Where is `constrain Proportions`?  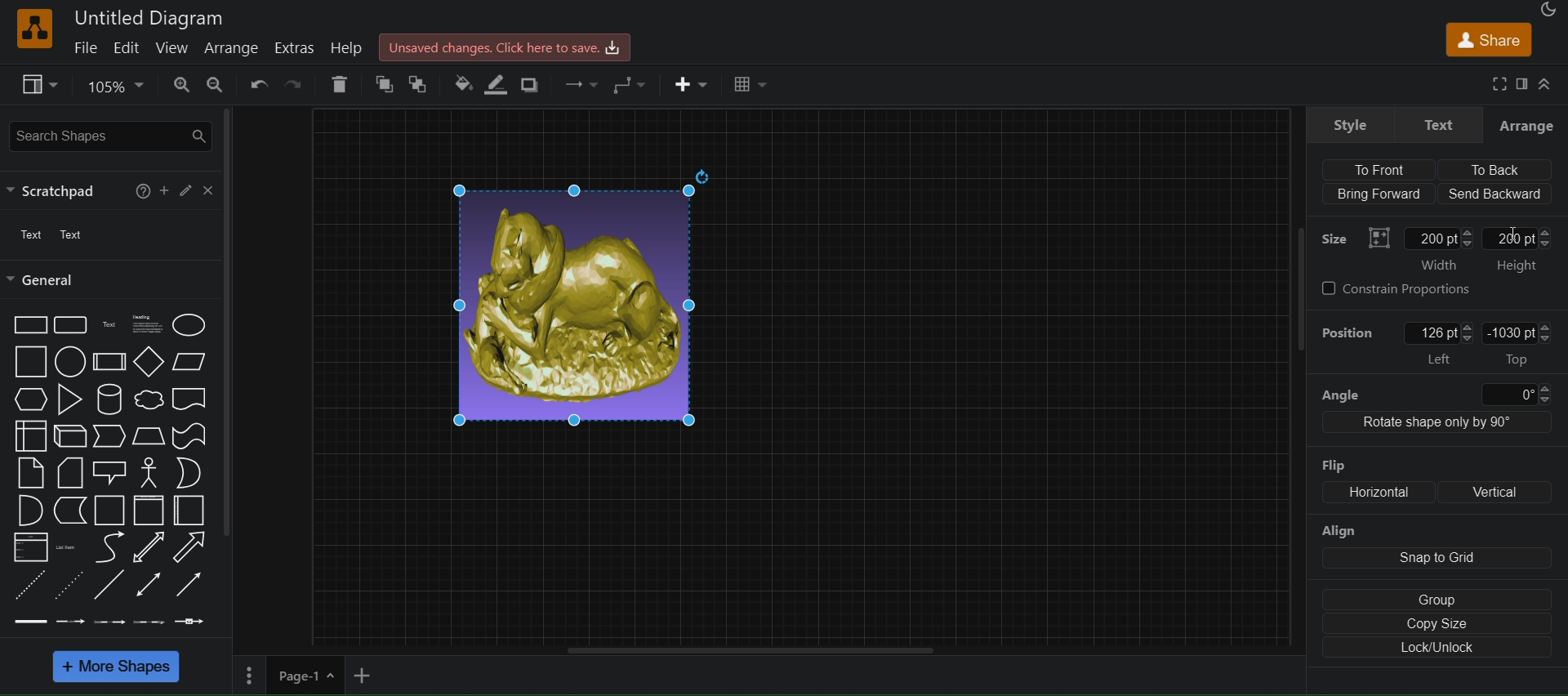 constrain Proportions is located at coordinates (1403, 289).